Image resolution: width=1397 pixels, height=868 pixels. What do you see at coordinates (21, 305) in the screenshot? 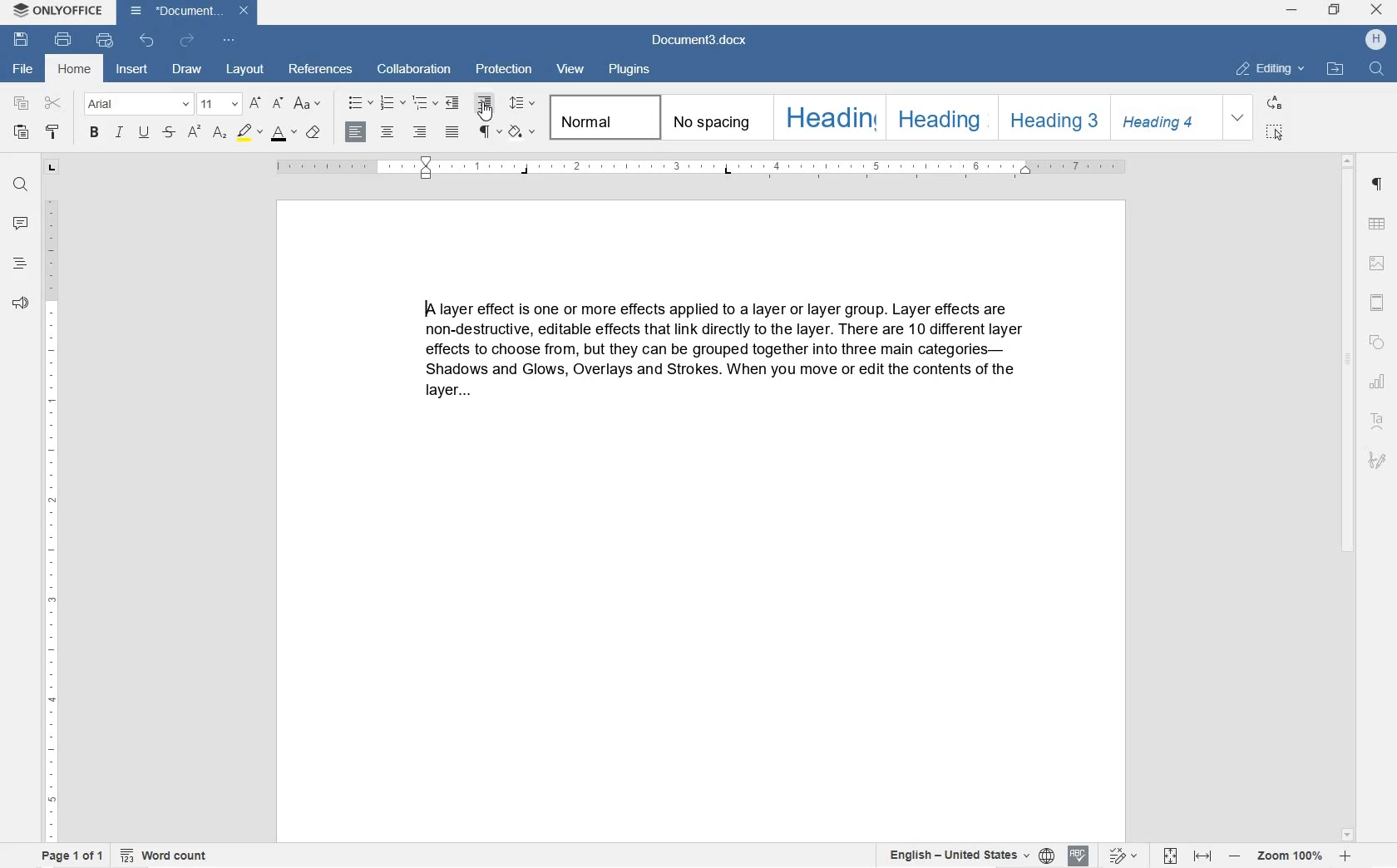
I see `FEEDBACK & SUPPORT` at bounding box center [21, 305].